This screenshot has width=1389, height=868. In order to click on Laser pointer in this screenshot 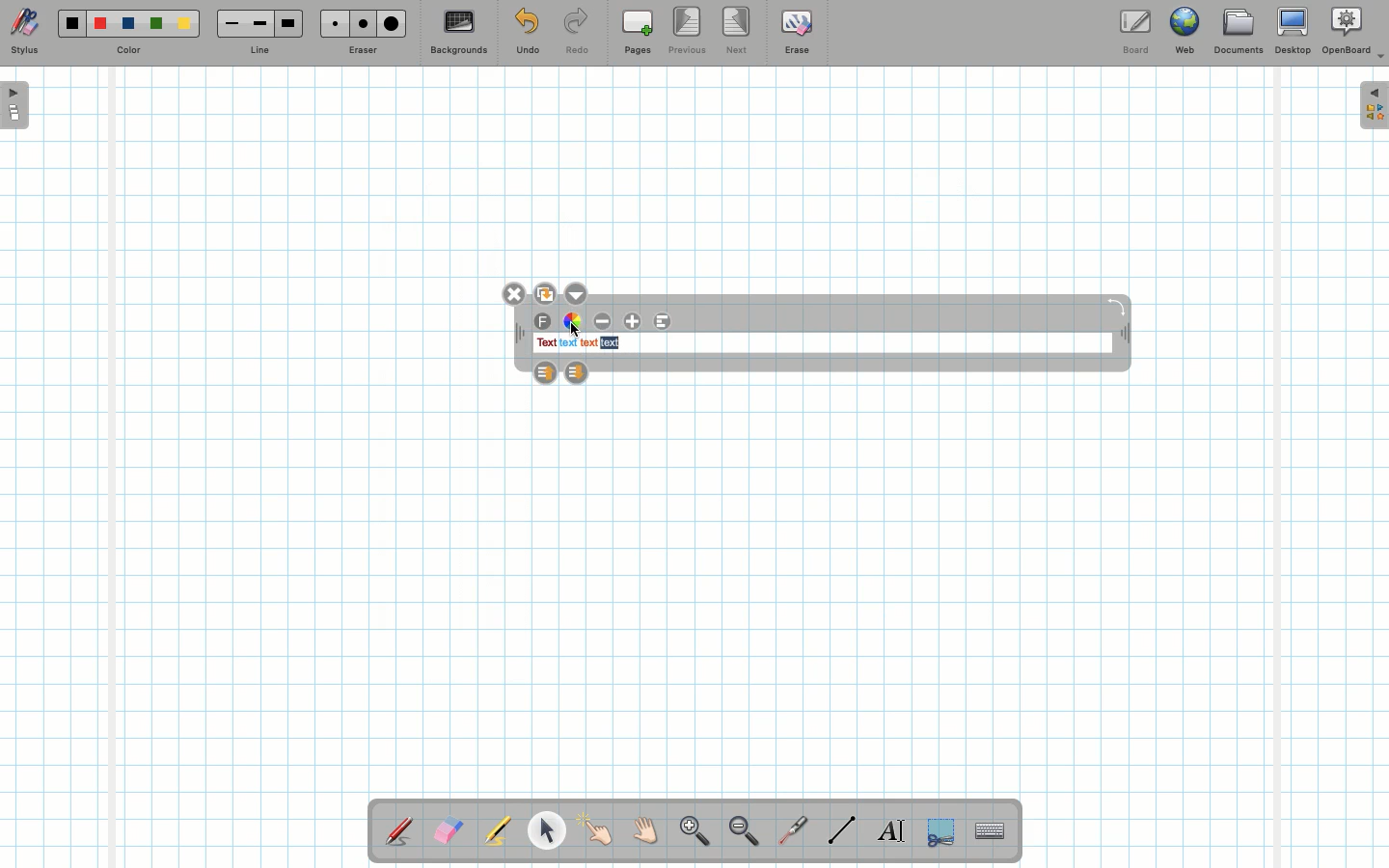, I will do `click(789, 831)`.